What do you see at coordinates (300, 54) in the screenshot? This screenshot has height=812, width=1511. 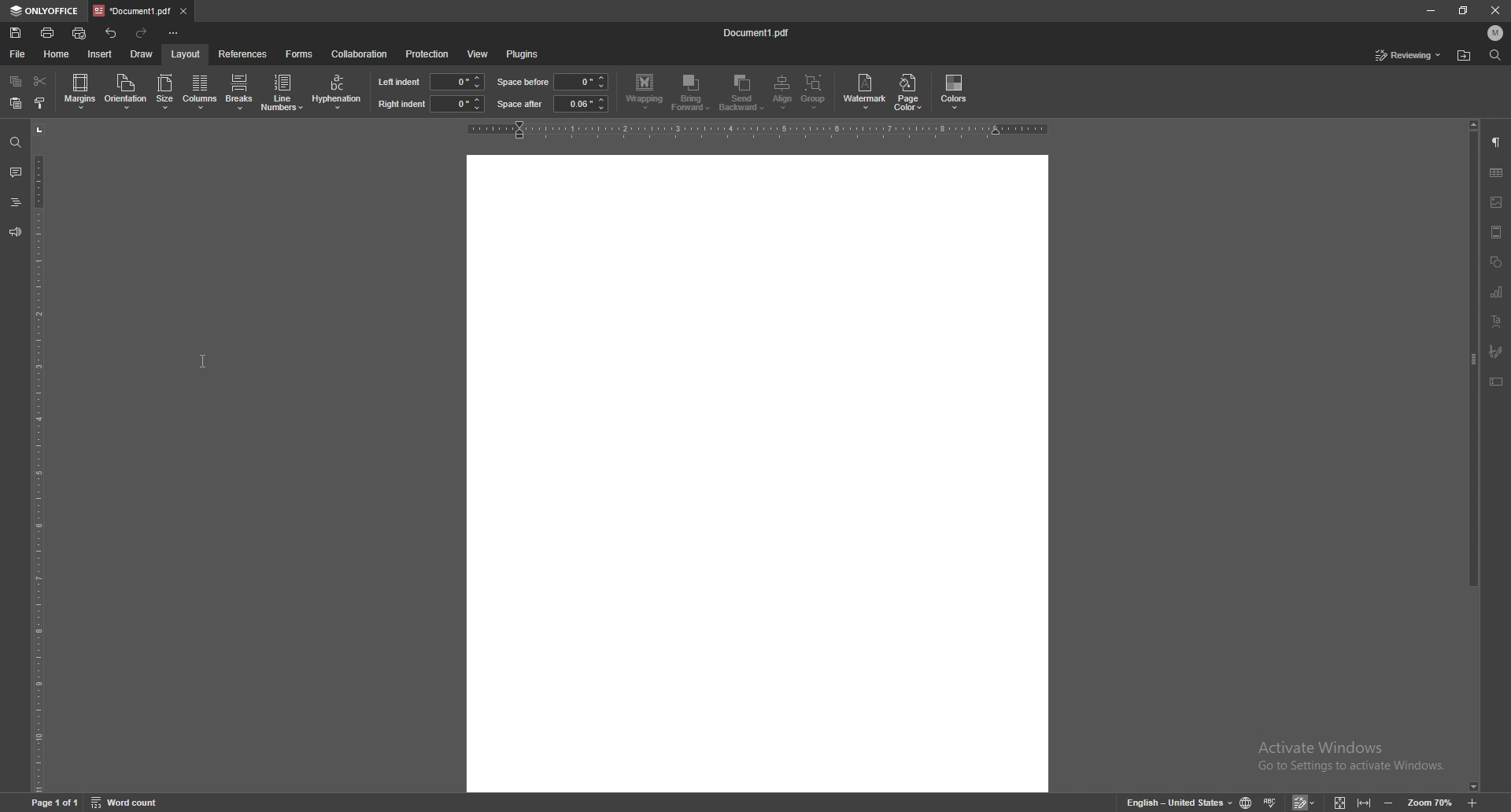 I see `forms` at bounding box center [300, 54].